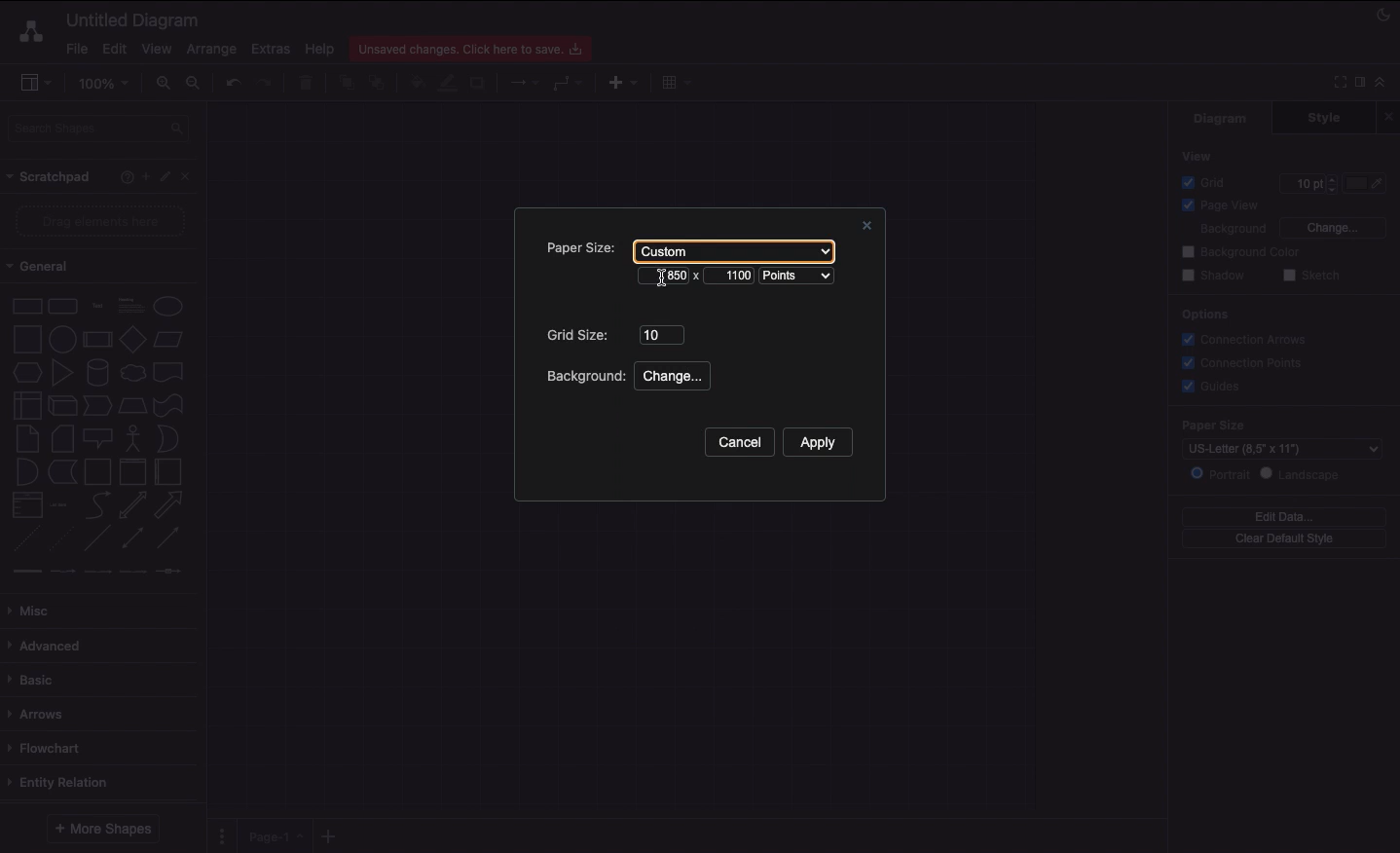 The image size is (1400, 853). Describe the element at coordinates (35, 84) in the screenshot. I see `Sidebar ` at that location.